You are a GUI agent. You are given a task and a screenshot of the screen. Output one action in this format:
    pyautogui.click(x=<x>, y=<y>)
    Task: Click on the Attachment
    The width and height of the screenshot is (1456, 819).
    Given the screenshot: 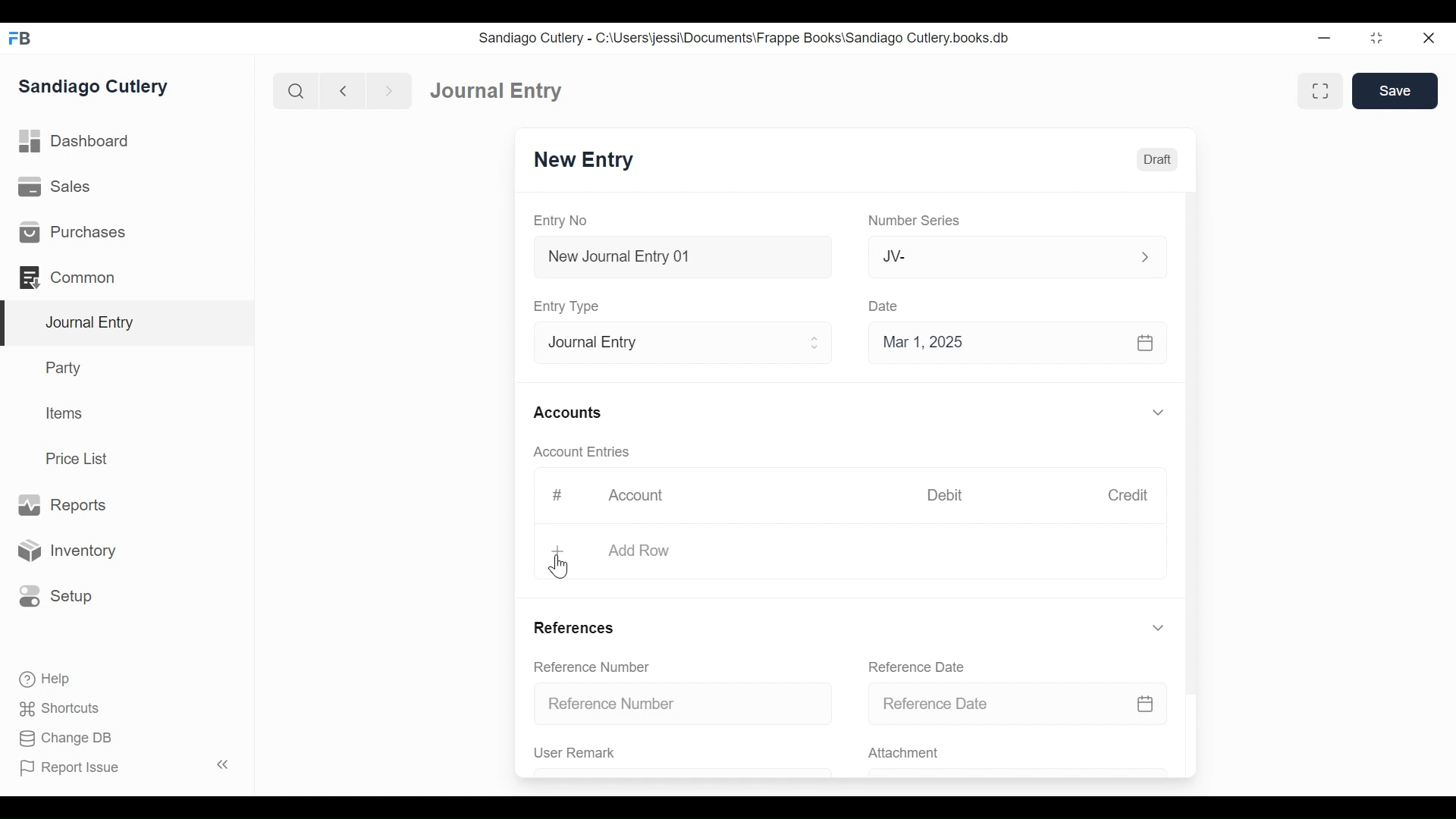 What is the action you would take?
    pyautogui.click(x=1018, y=754)
    